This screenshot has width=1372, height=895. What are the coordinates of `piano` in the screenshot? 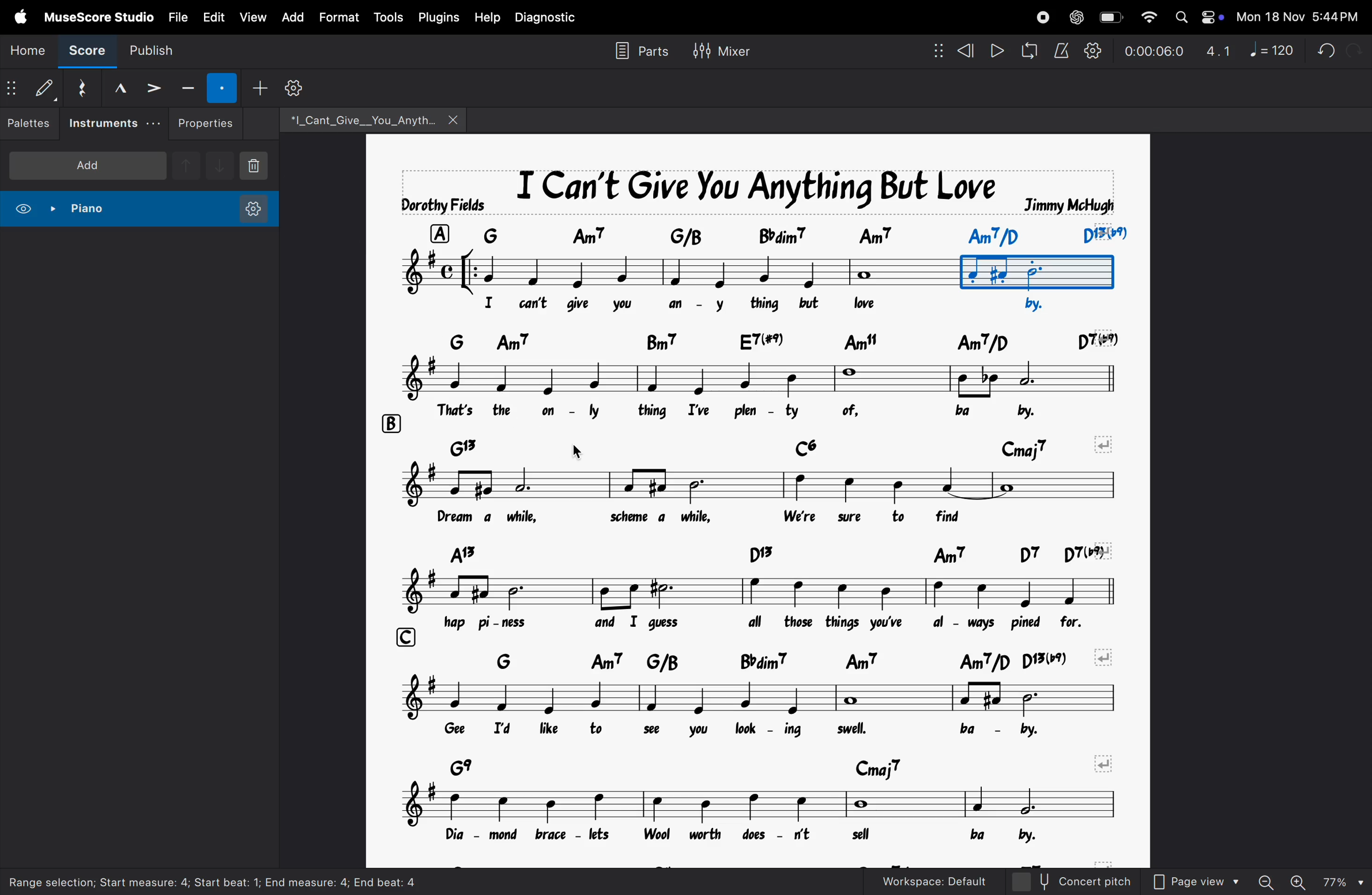 It's located at (78, 211).